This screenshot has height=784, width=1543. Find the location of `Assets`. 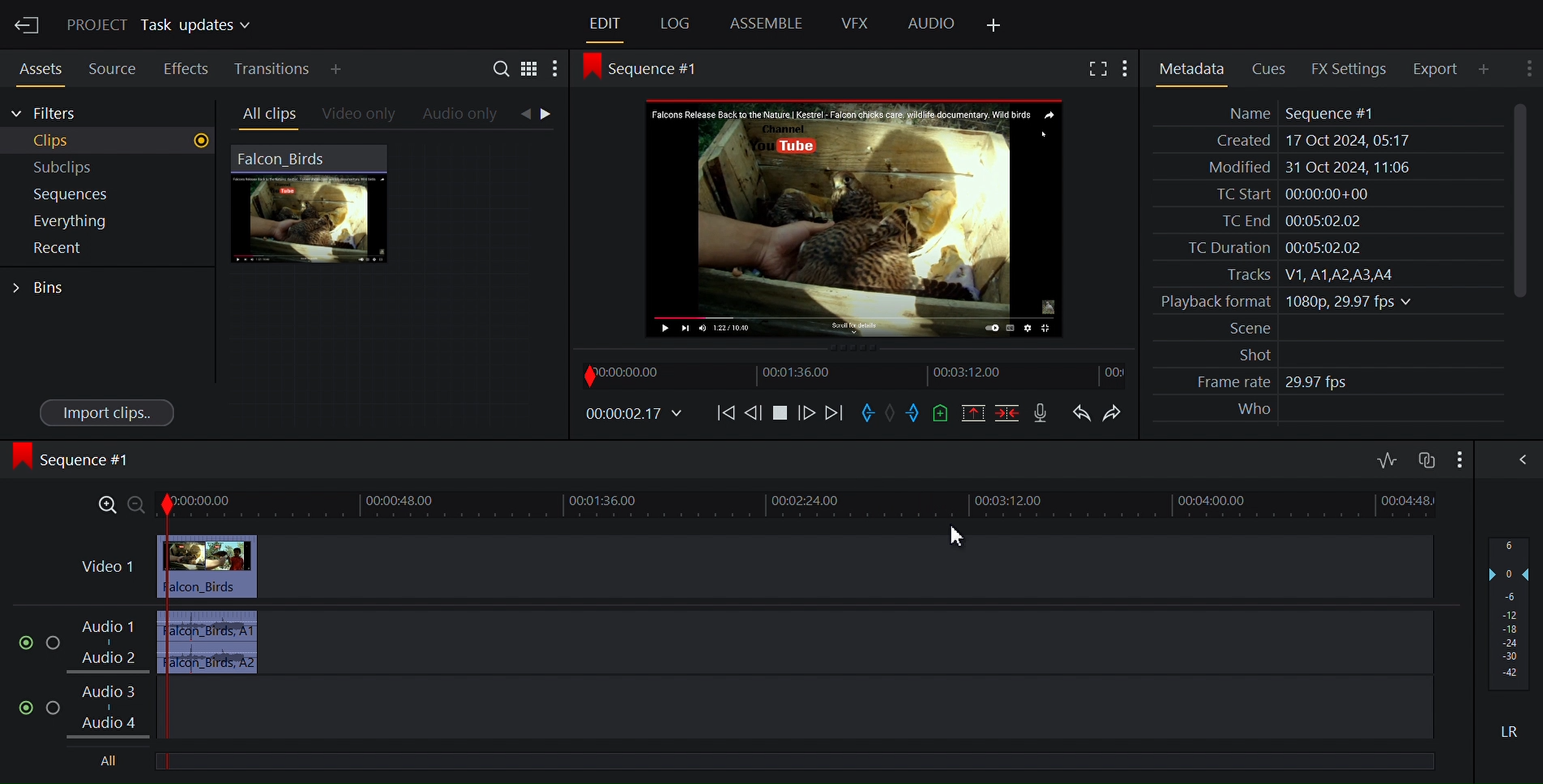

Assets is located at coordinates (39, 69).